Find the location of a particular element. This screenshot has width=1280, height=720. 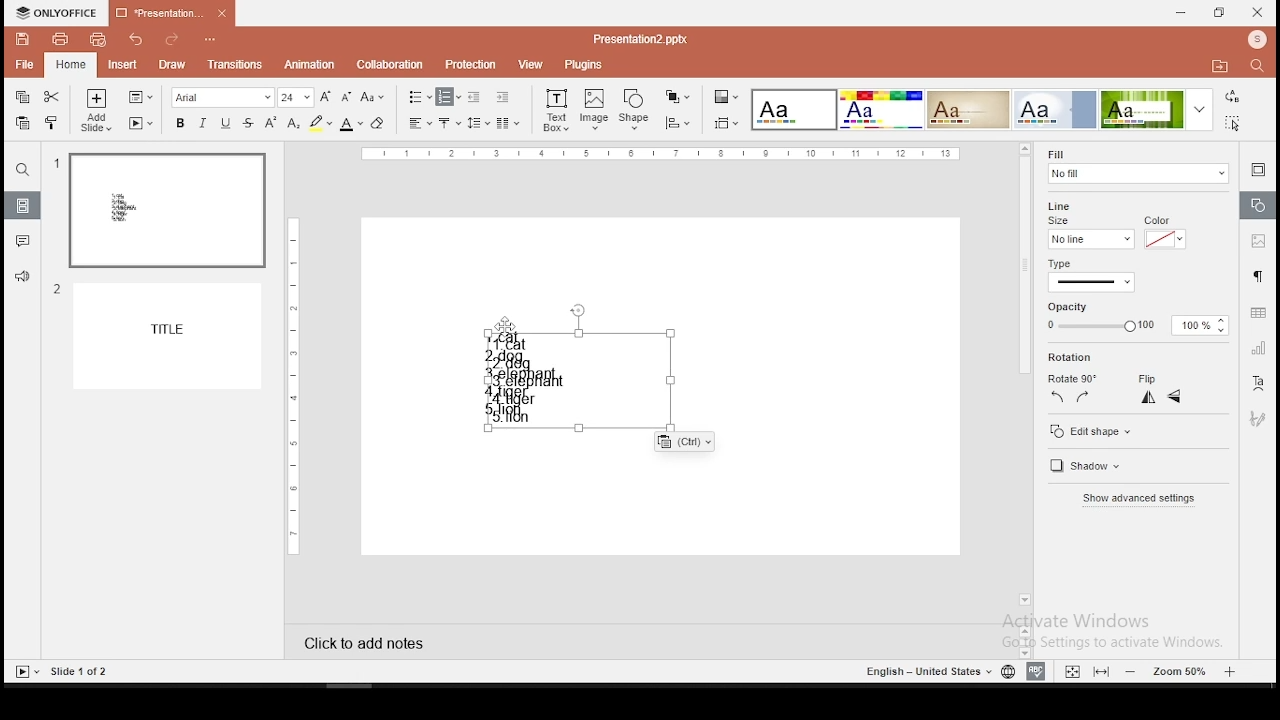

view is located at coordinates (530, 65).